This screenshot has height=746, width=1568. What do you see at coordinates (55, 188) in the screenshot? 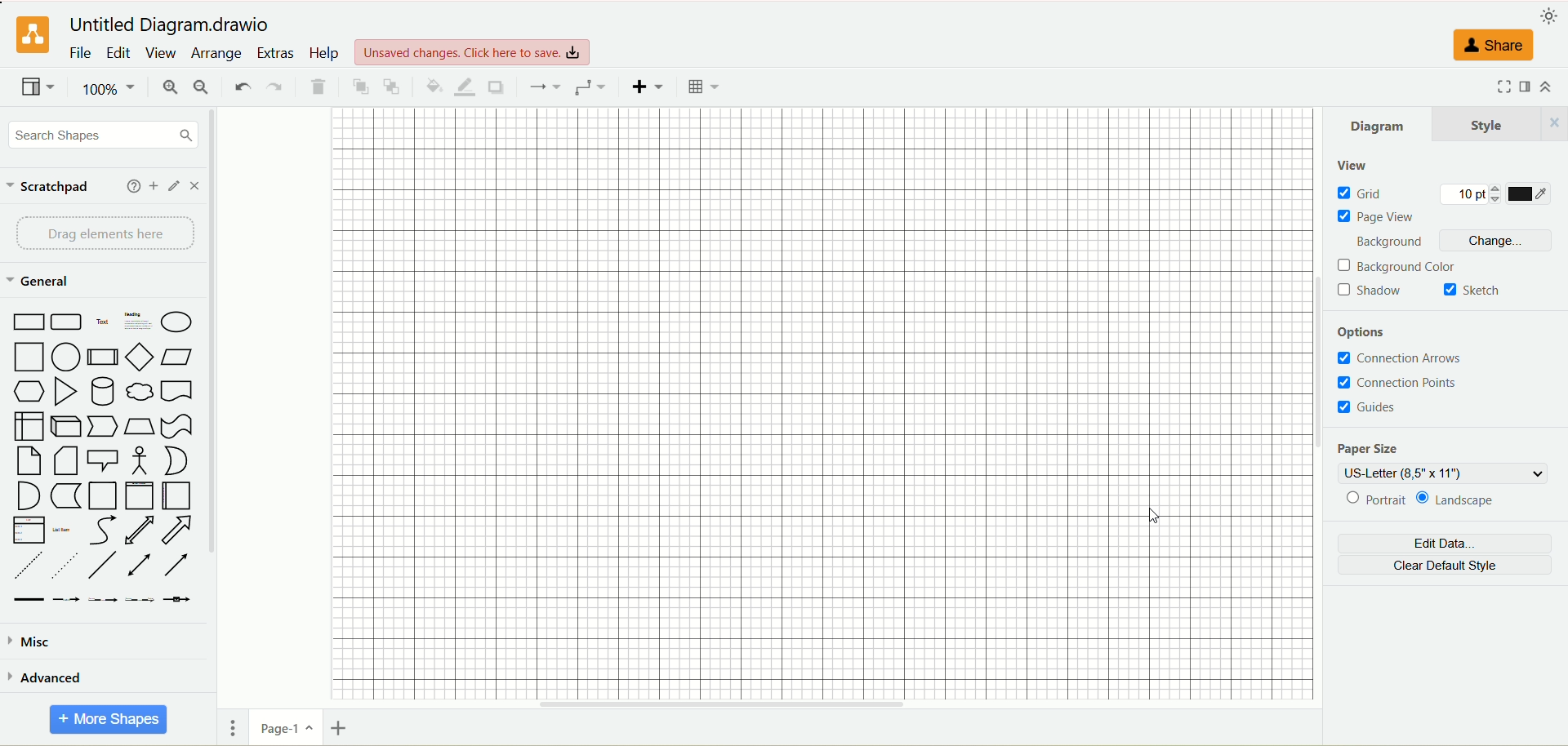
I see `scratchpad` at bounding box center [55, 188].